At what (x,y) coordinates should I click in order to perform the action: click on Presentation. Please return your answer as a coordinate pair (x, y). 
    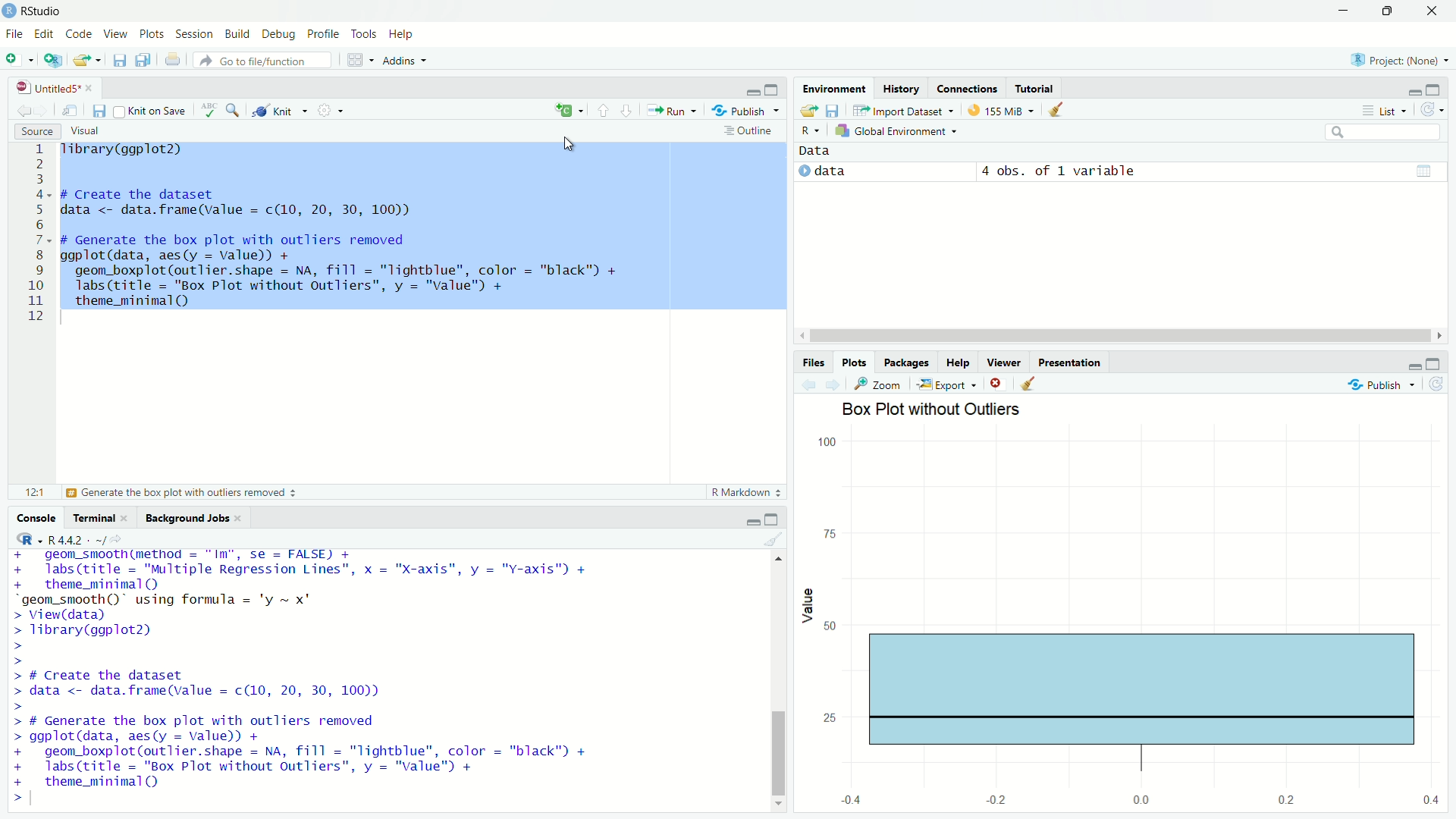
    Looking at the image, I should click on (1069, 360).